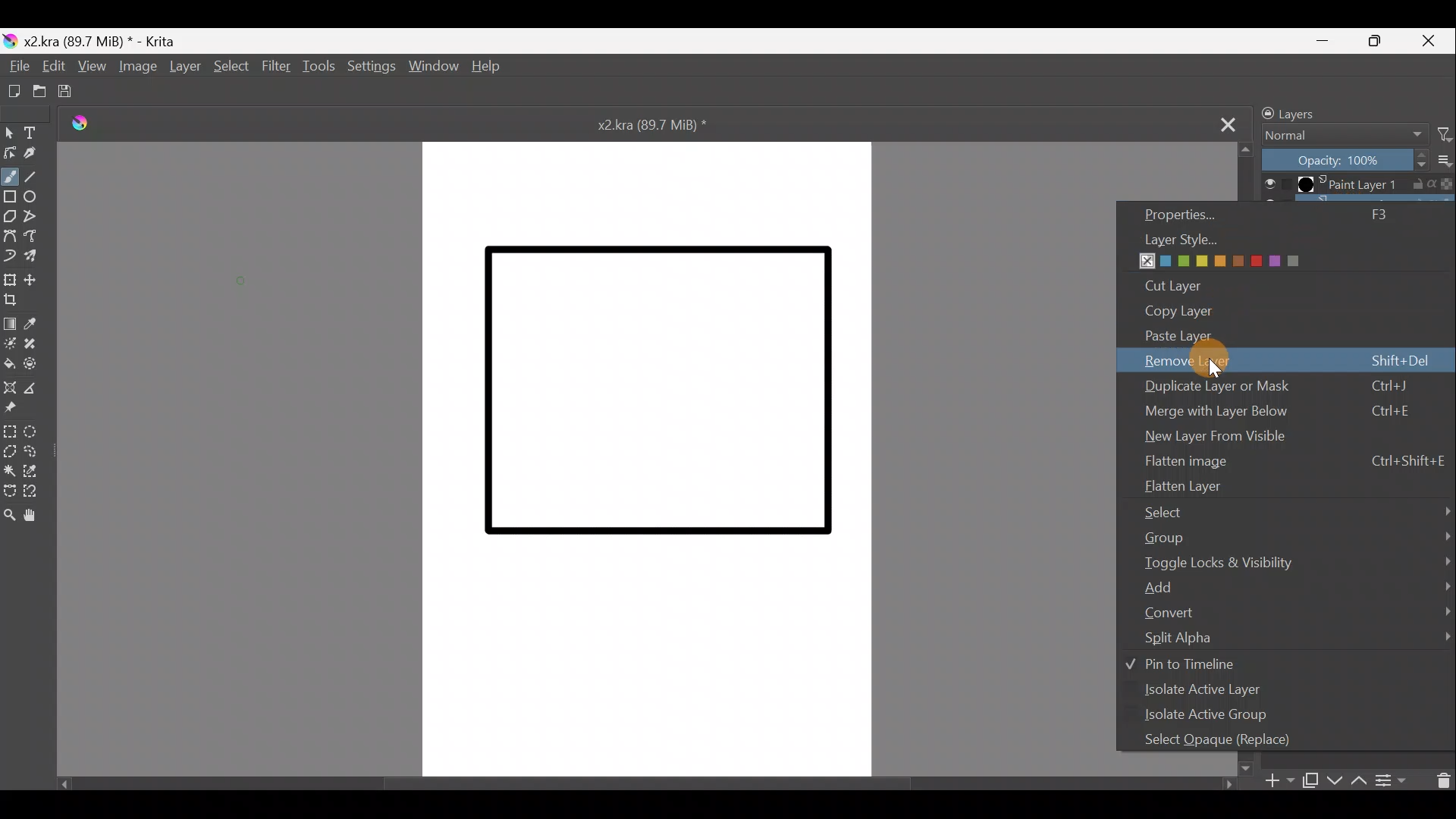  Describe the element at coordinates (35, 344) in the screenshot. I see `Smart patch tool` at that location.